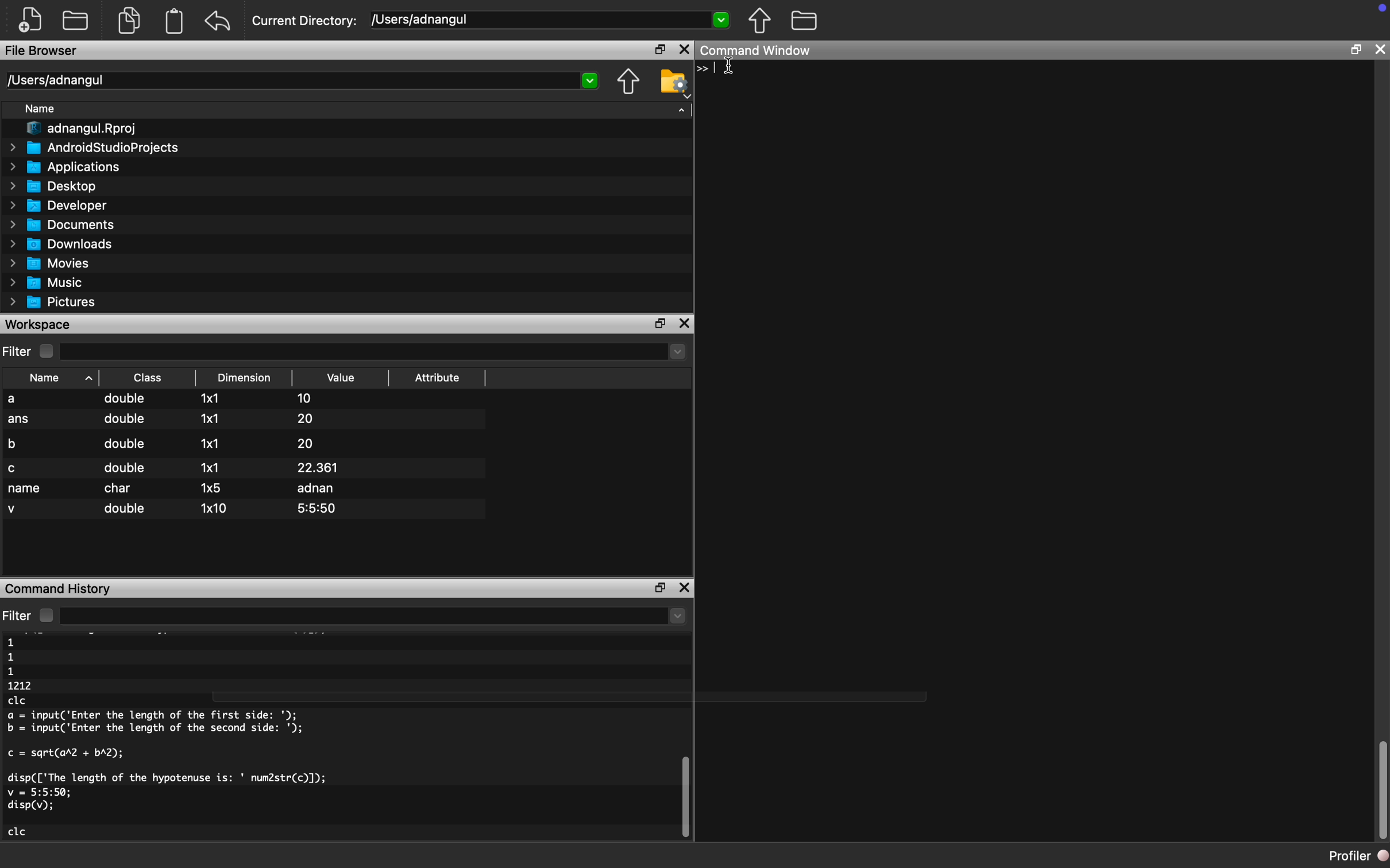  I want to click on Current Directory:, so click(302, 20).